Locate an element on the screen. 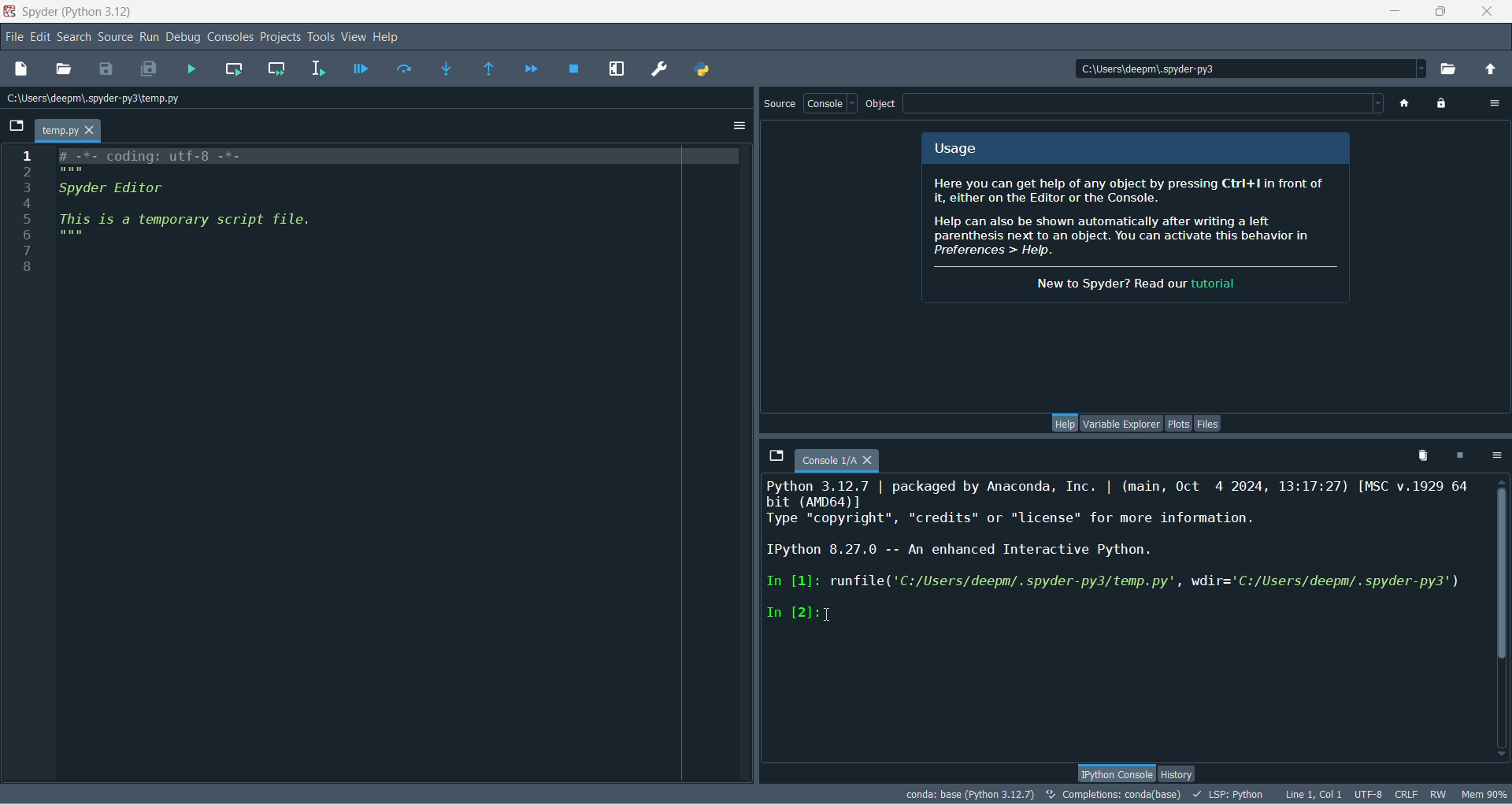 The image size is (1512, 805). console text is located at coordinates (1121, 560).